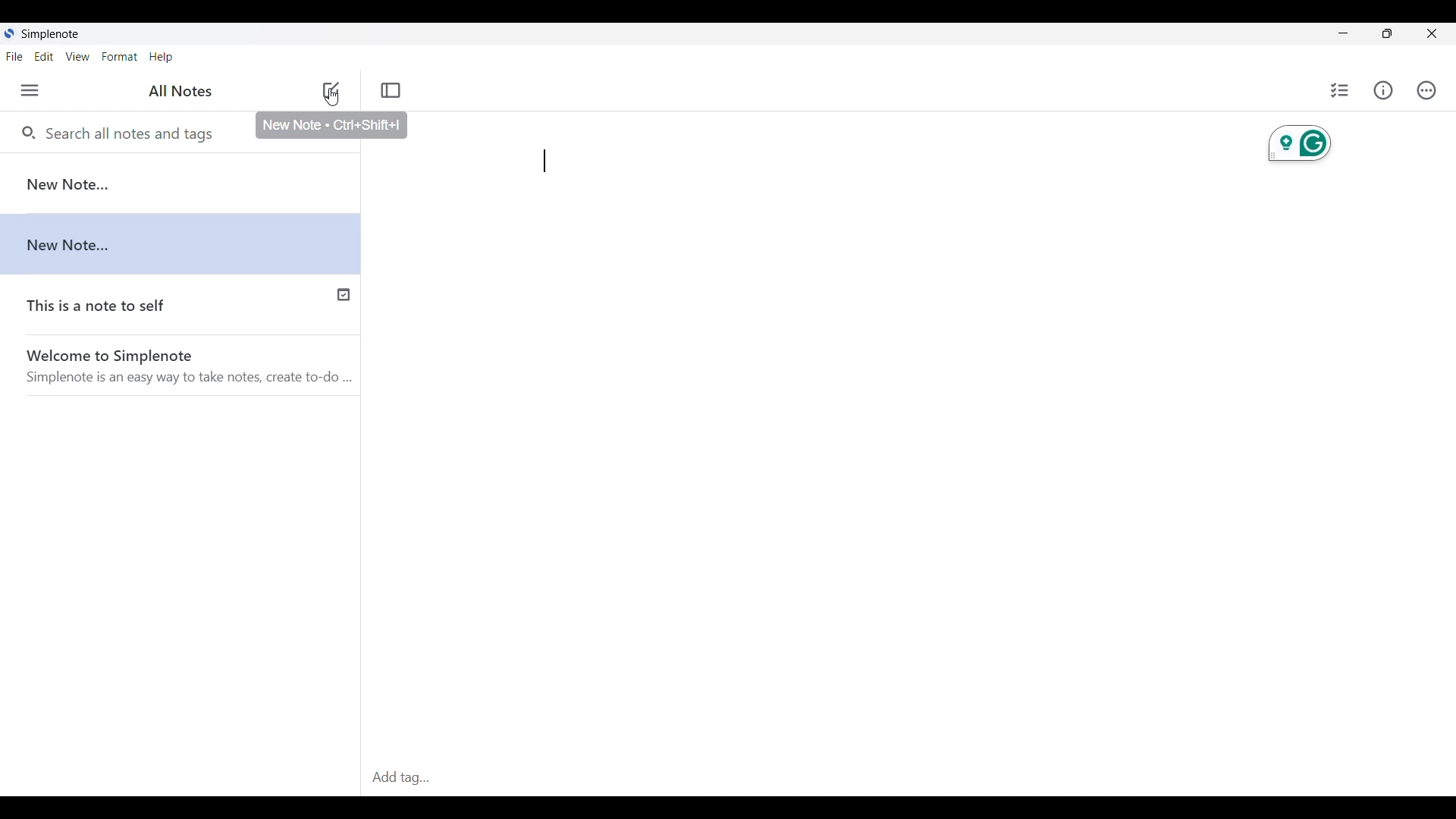 The image size is (1456, 819). Describe the element at coordinates (44, 56) in the screenshot. I see `Edit` at that location.